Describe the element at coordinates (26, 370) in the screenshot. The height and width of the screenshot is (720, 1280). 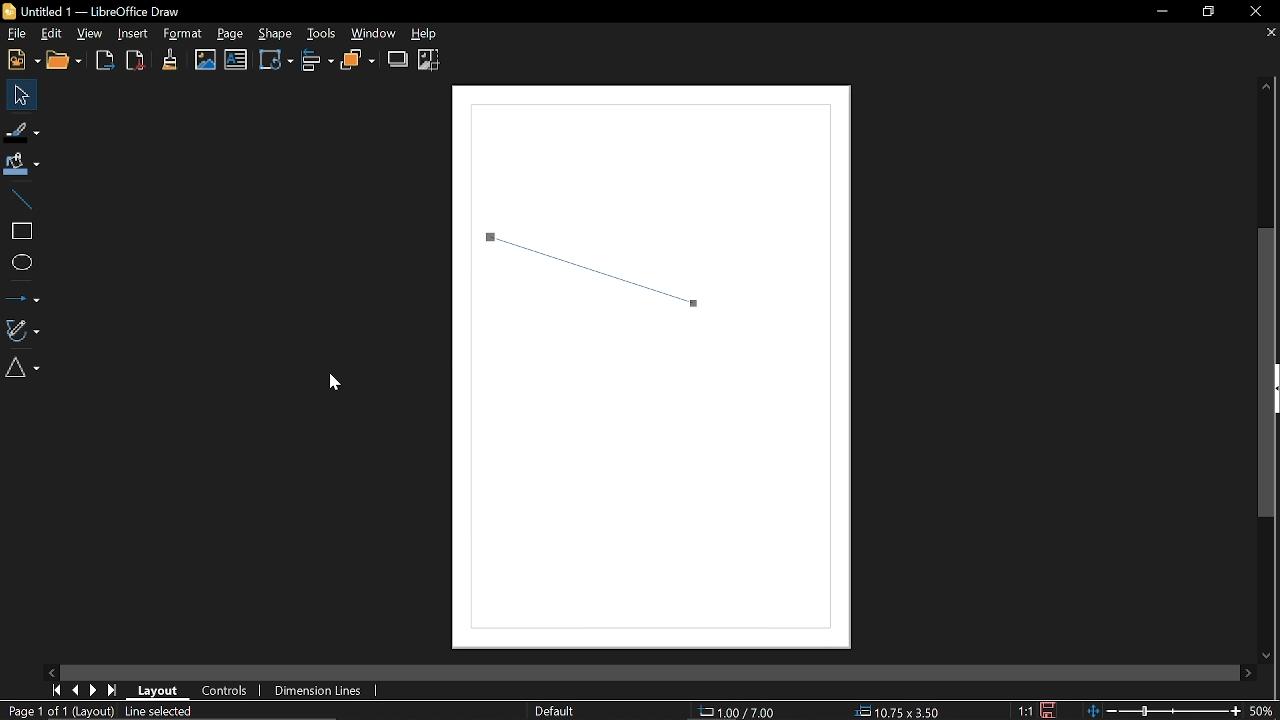
I see `basic shapes` at that location.